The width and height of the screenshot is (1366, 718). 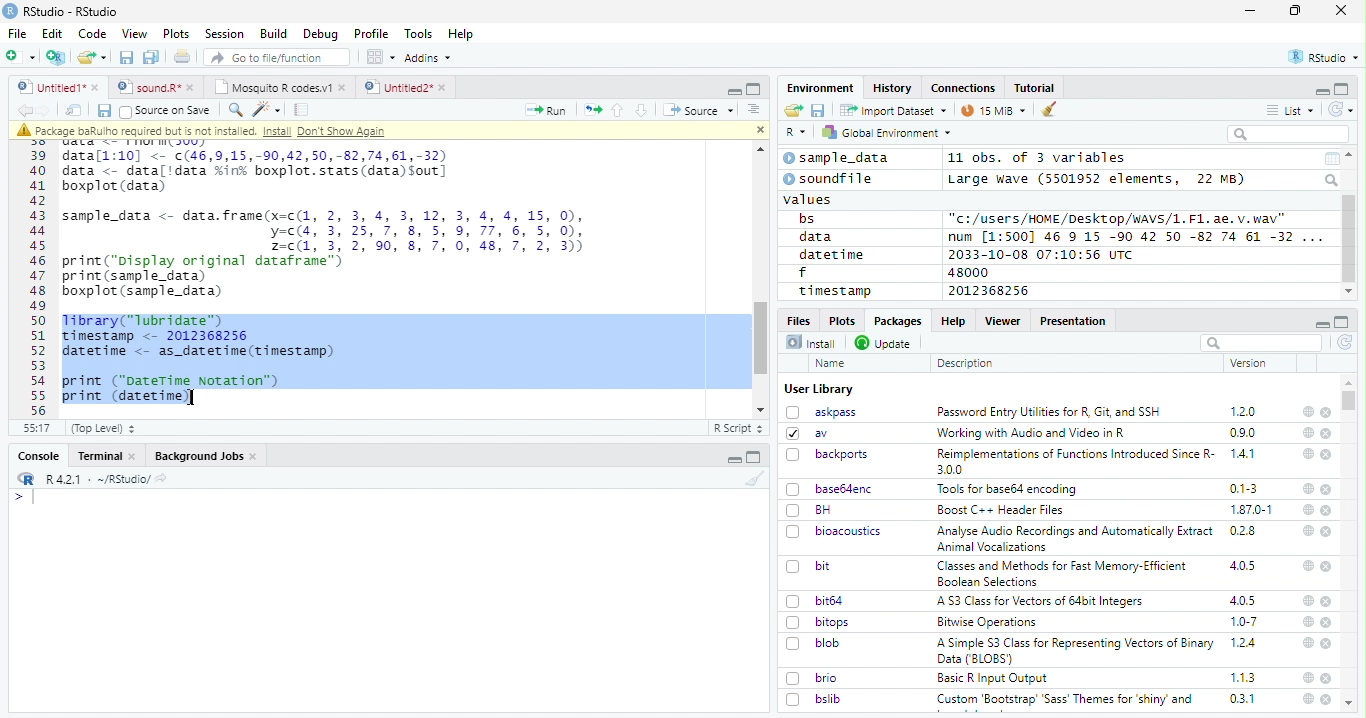 What do you see at coordinates (57, 88) in the screenshot?
I see `Untitled1*` at bounding box center [57, 88].